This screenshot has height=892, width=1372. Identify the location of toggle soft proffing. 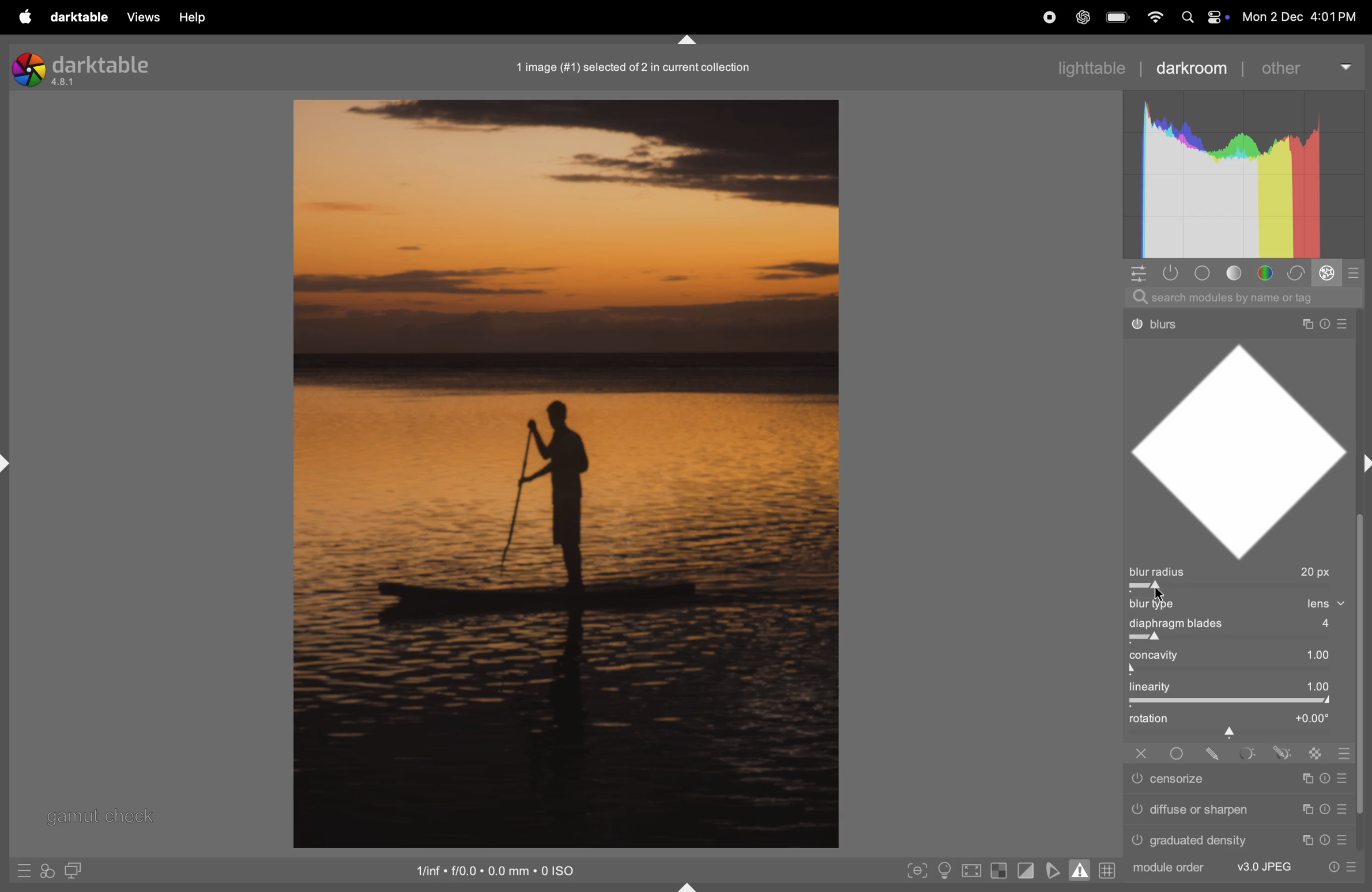
(1051, 870).